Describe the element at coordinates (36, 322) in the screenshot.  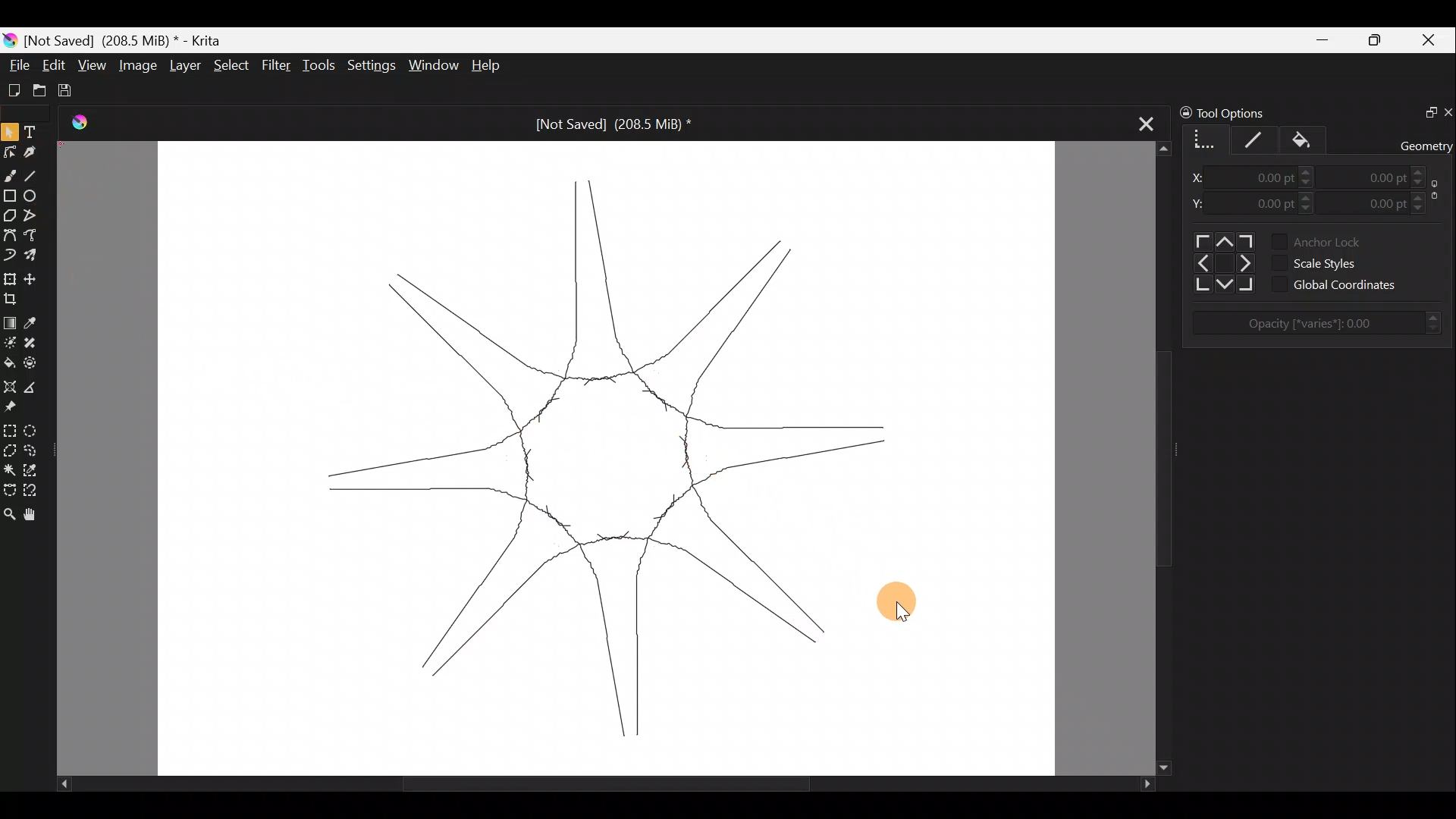
I see `Sample a colour from image/current layer` at that location.